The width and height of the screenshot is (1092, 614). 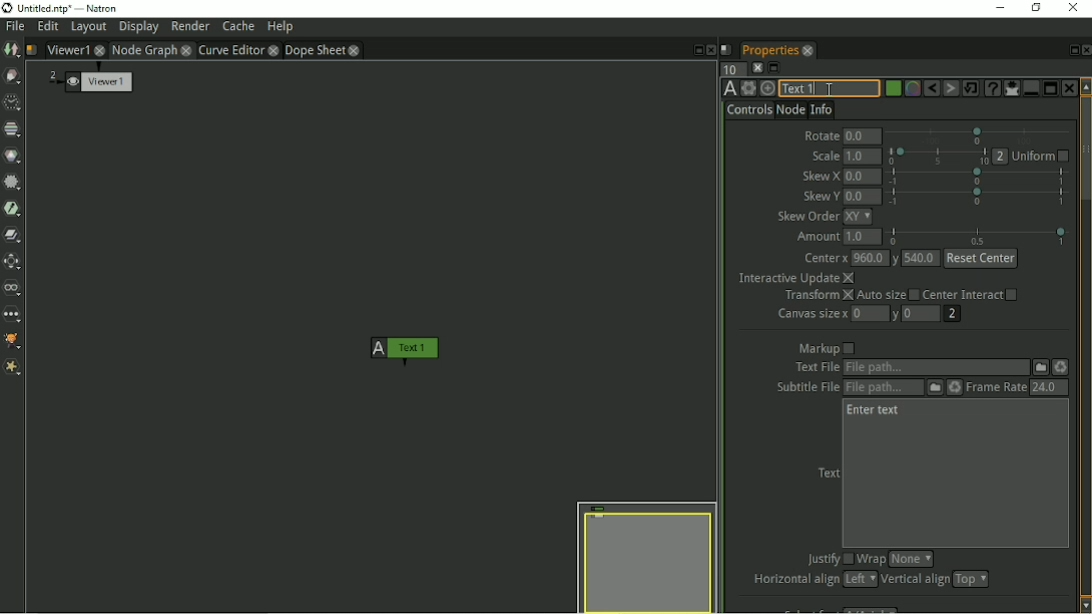 I want to click on Center Interact, so click(x=978, y=295).